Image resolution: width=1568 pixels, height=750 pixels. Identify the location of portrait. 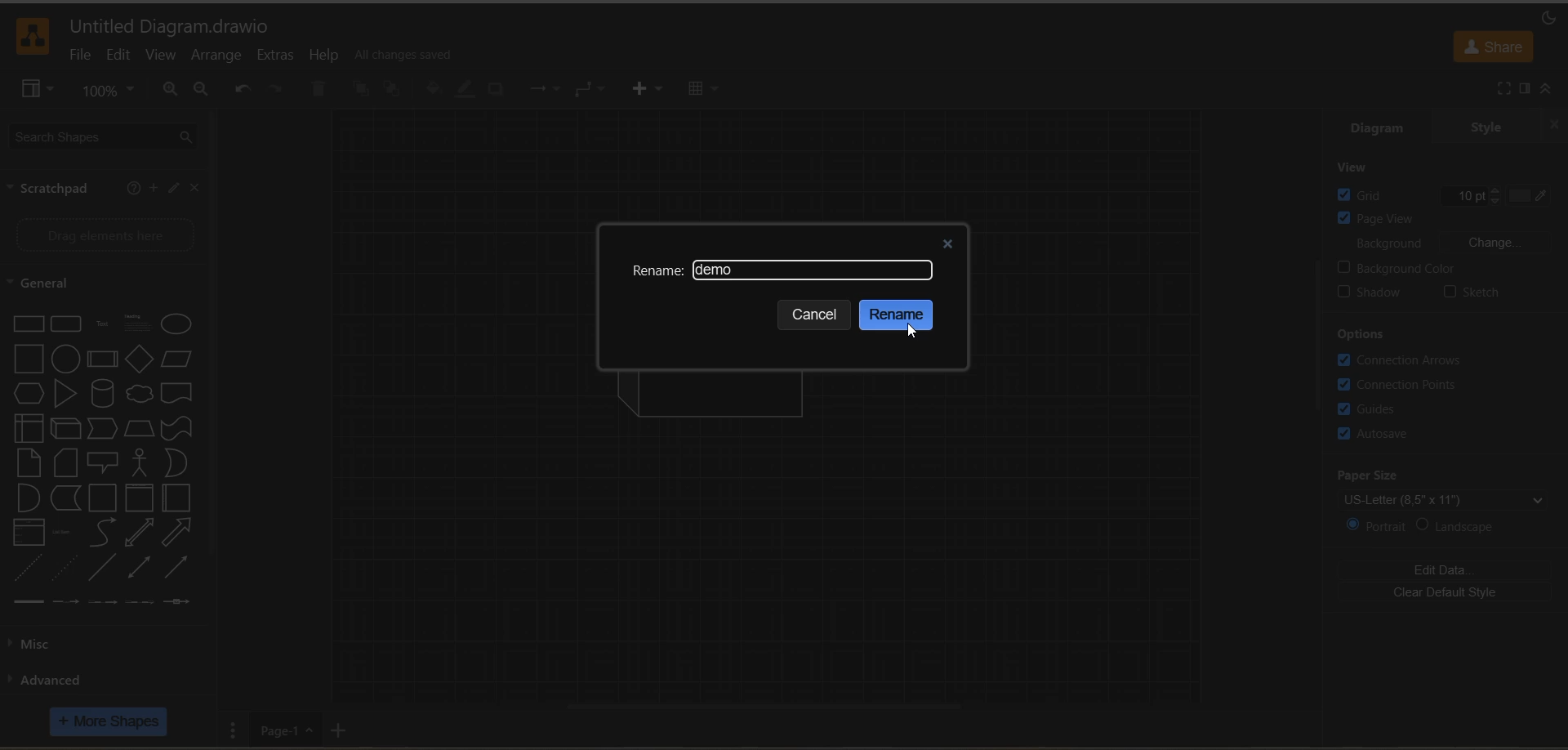
(1376, 525).